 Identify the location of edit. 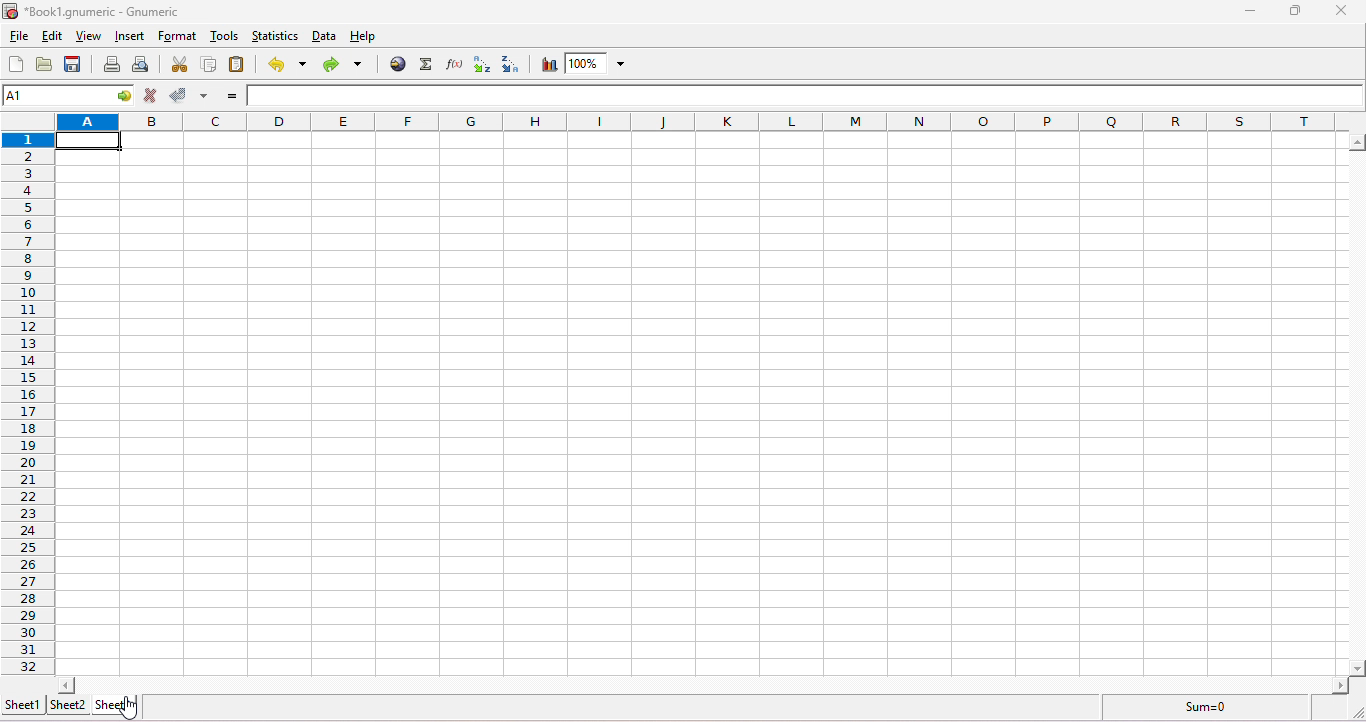
(47, 36).